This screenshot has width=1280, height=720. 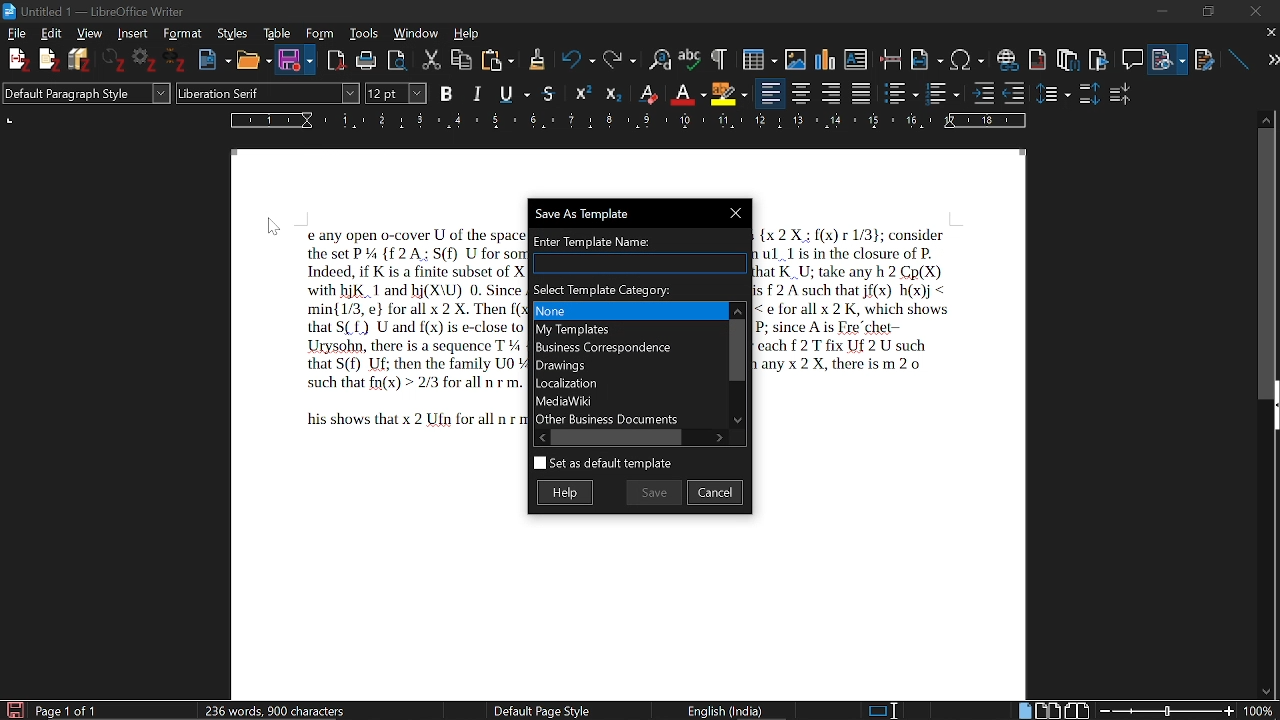 I want to click on Styles, so click(x=231, y=34).